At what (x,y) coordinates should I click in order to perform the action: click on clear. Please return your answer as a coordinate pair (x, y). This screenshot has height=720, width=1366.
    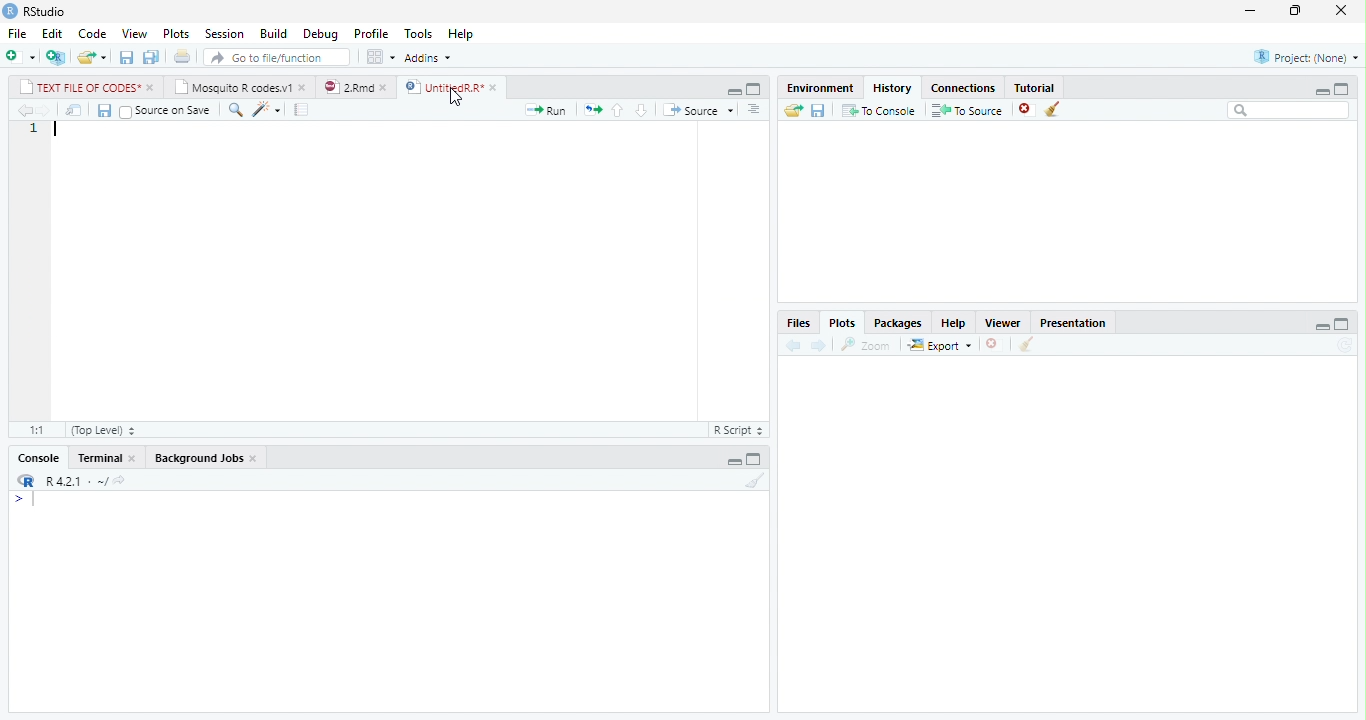
    Looking at the image, I should click on (1053, 109).